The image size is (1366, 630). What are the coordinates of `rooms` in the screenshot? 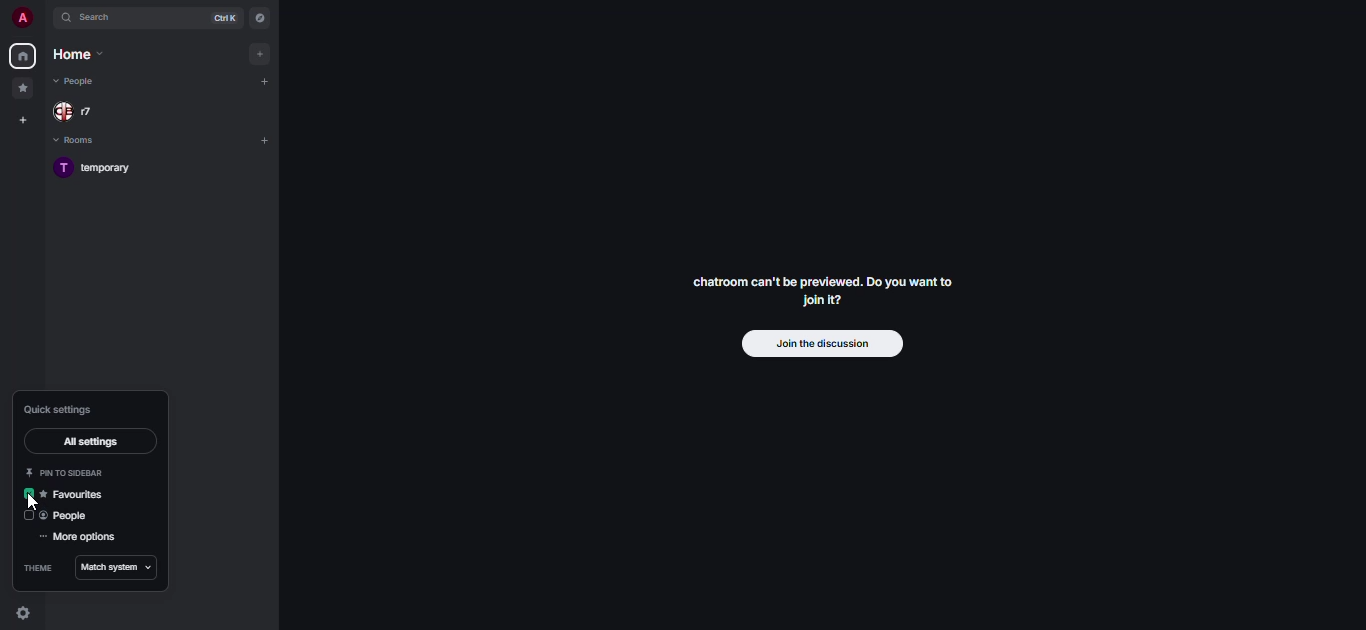 It's located at (72, 142).